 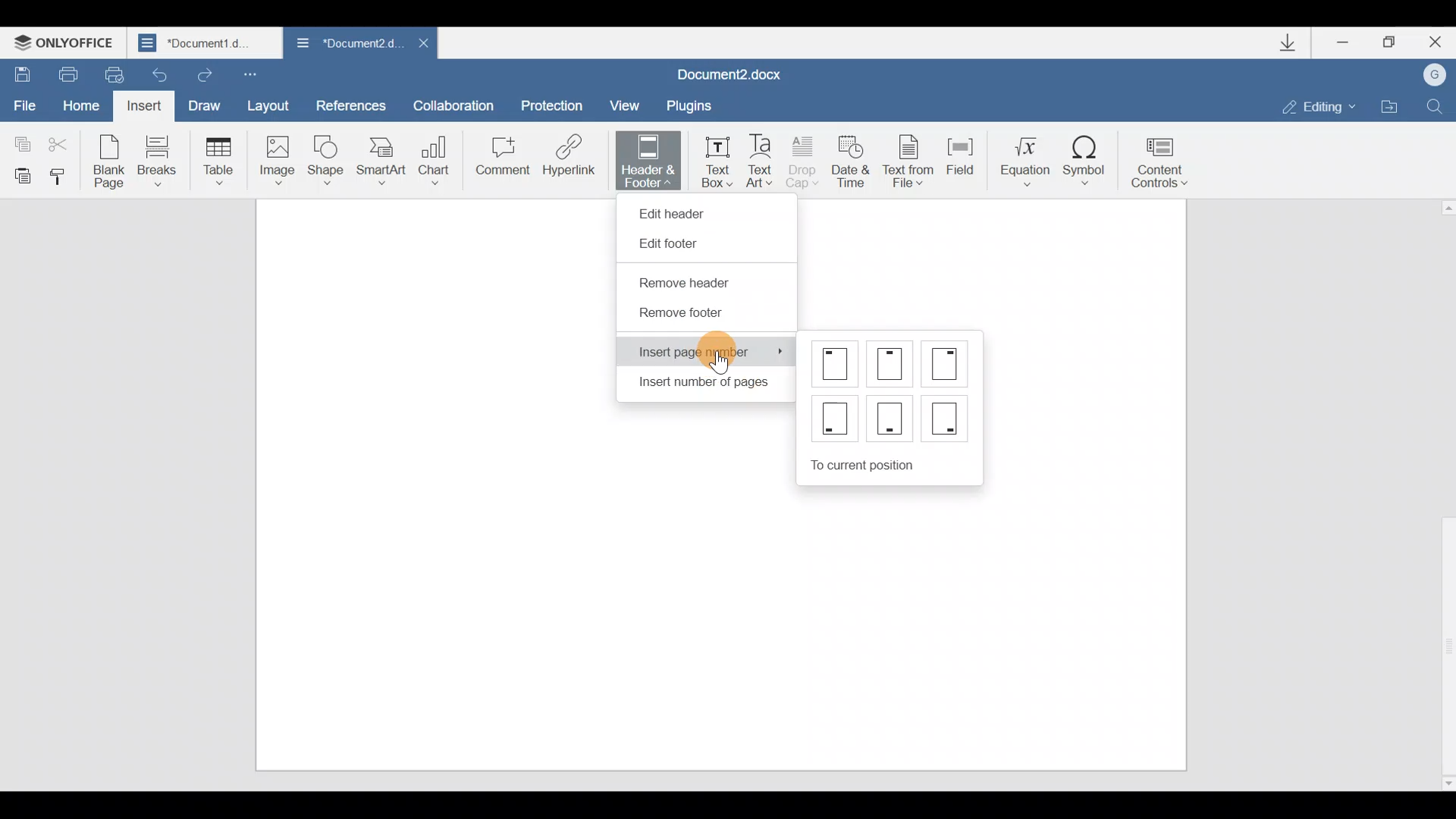 I want to click on Edit header, so click(x=679, y=209).